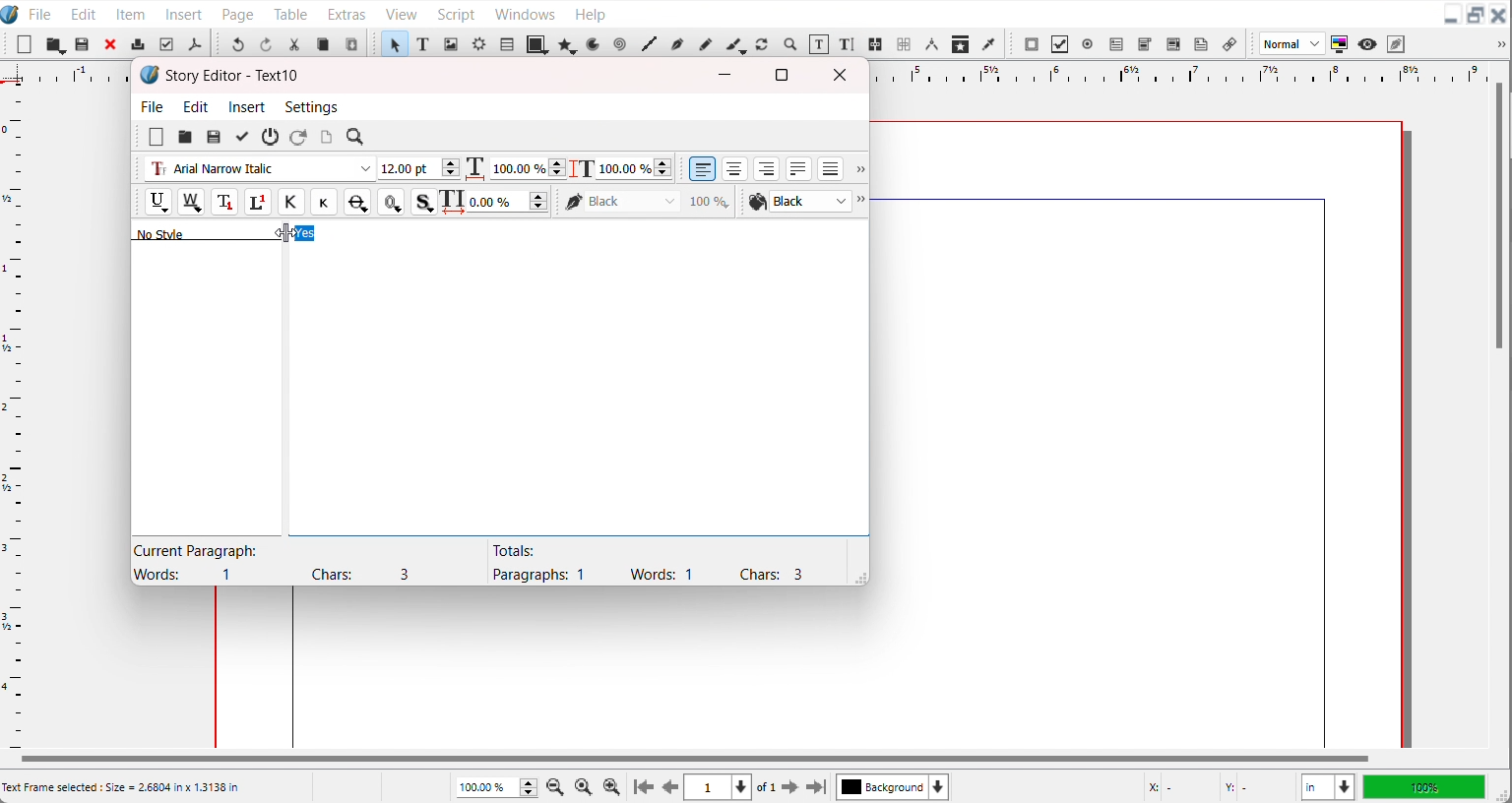 The height and width of the screenshot is (803, 1512). I want to click on PDF List box, so click(1174, 44).